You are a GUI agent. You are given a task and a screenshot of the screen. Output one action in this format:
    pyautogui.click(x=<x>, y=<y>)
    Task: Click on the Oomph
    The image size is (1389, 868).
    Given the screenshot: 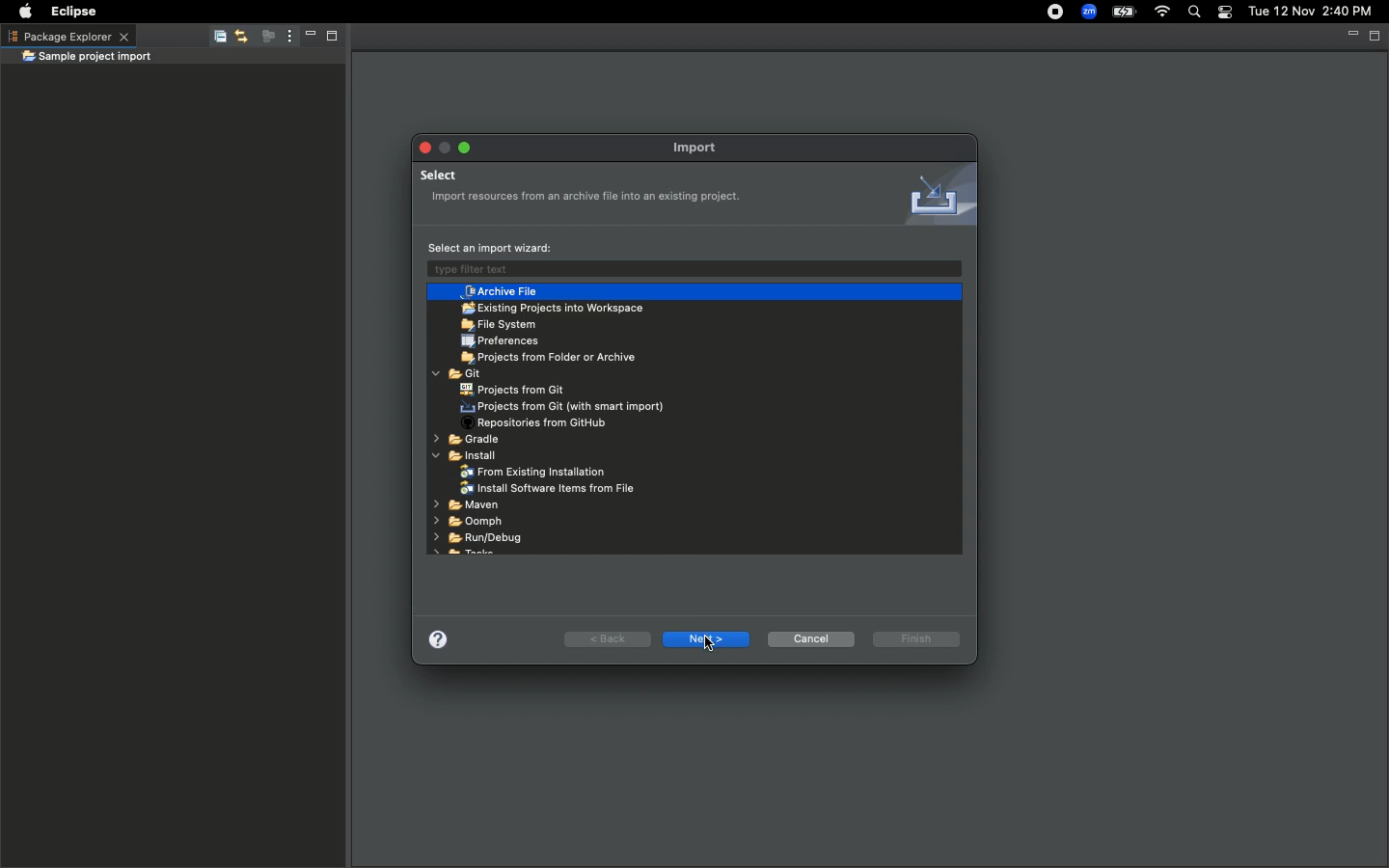 What is the action you would take?
    pyautogui.click(x=467, y=521)
    